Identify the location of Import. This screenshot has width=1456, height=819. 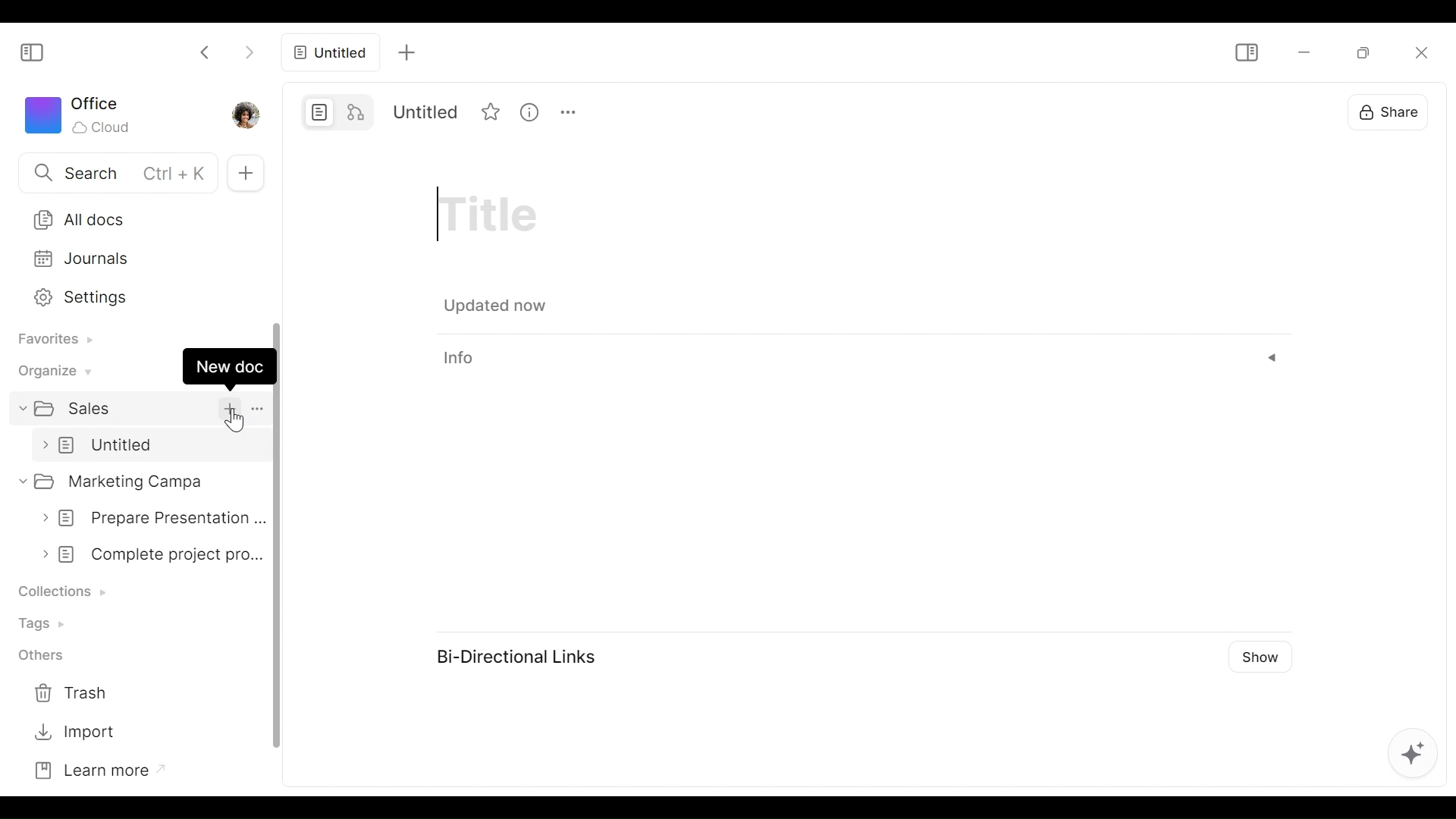
(79, 733).